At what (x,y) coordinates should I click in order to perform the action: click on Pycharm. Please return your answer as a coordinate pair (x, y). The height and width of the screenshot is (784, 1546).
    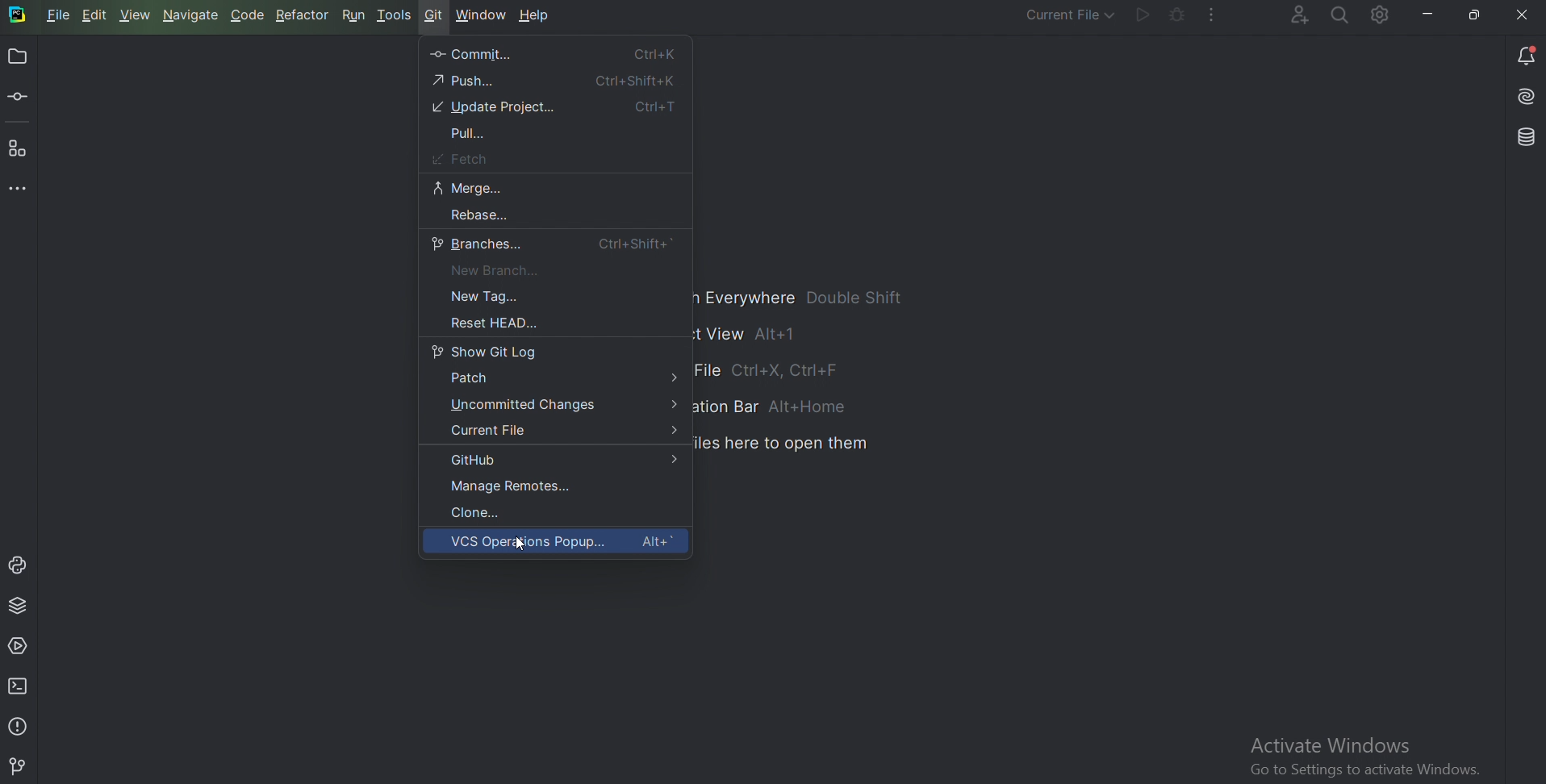
    Looking at the image, I should click on (19, 16).